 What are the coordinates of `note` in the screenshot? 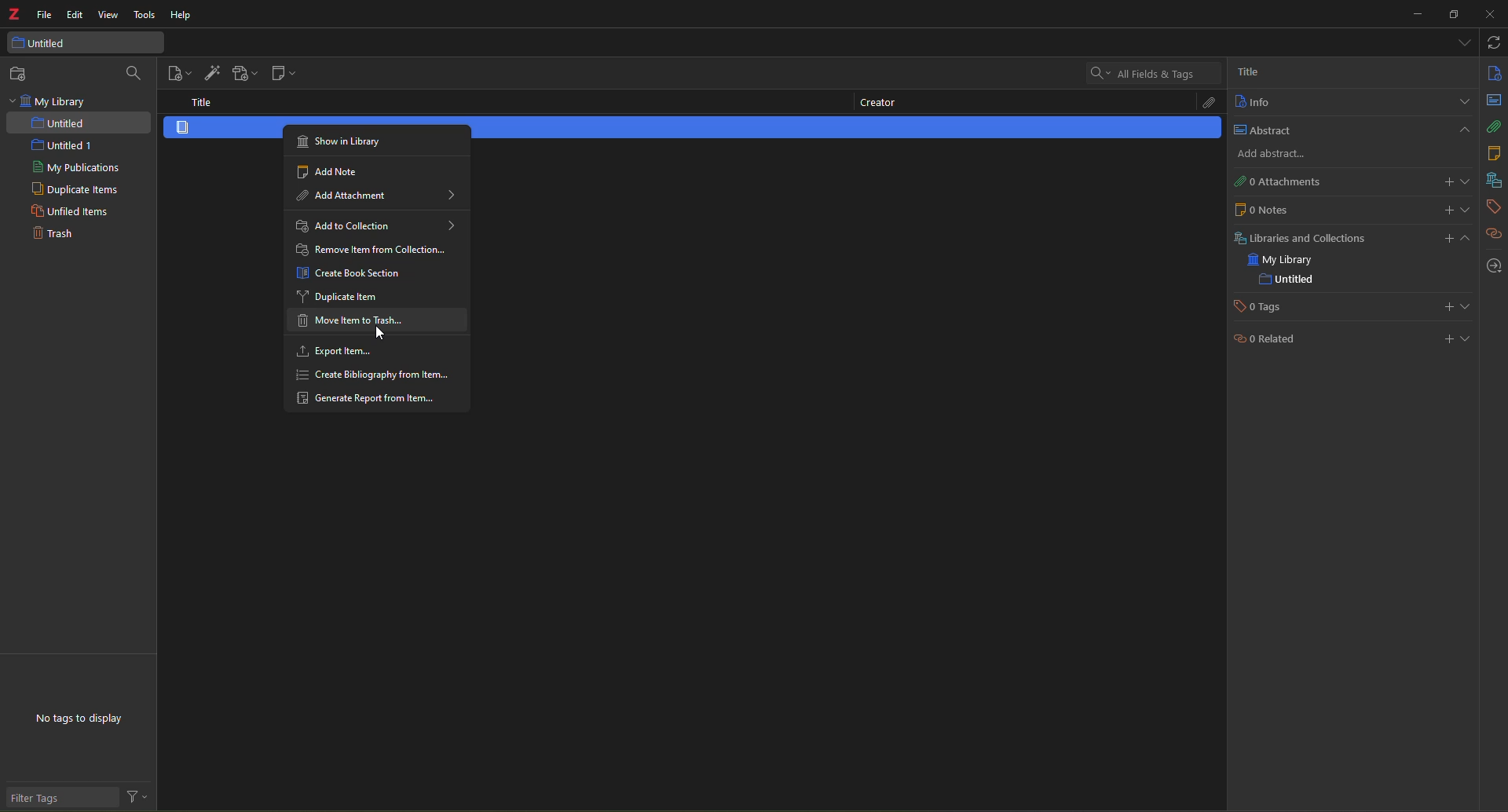 It's located at (1261, 209).